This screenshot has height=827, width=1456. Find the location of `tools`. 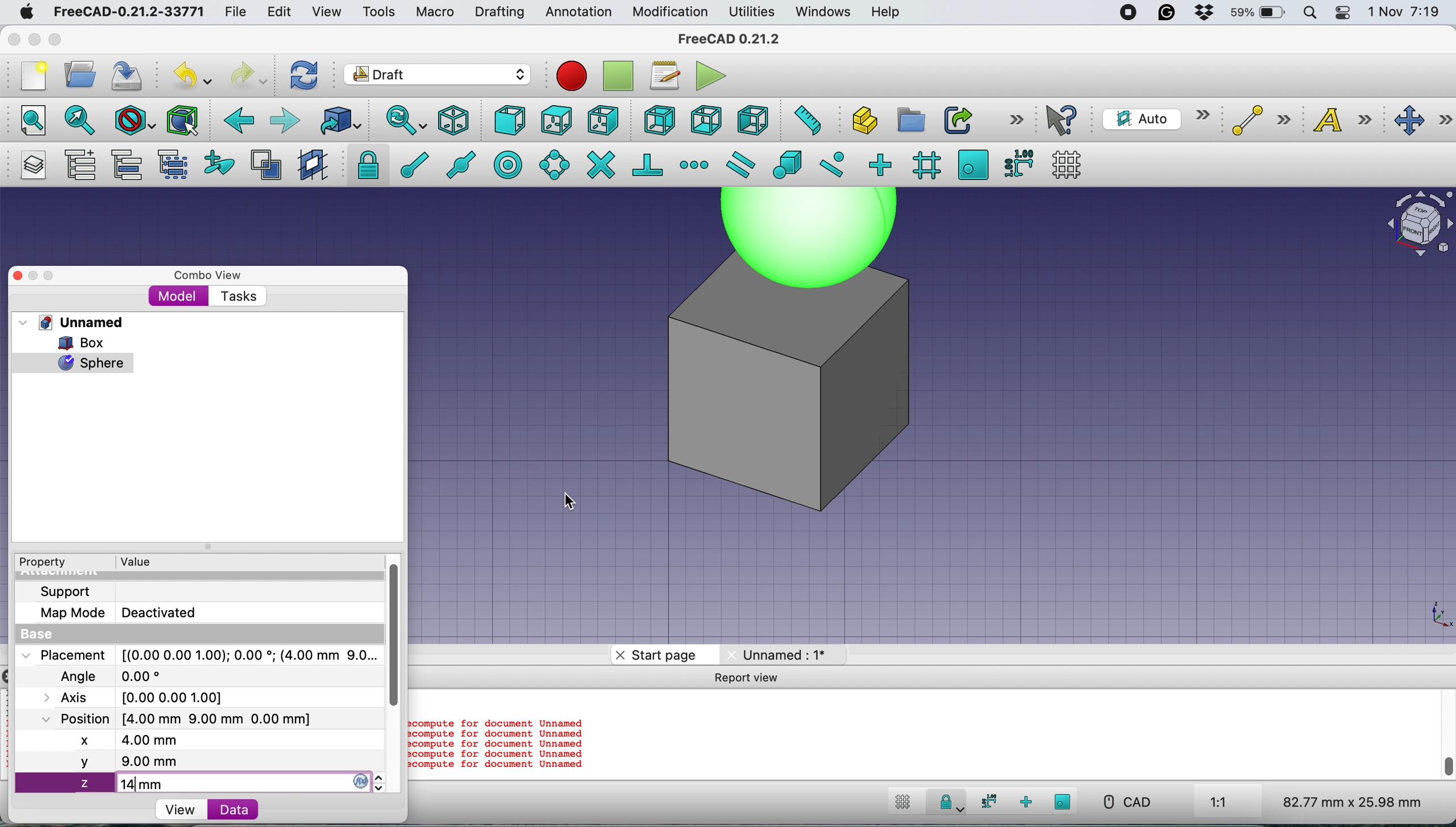

tools is located at coordinates (378, 13).